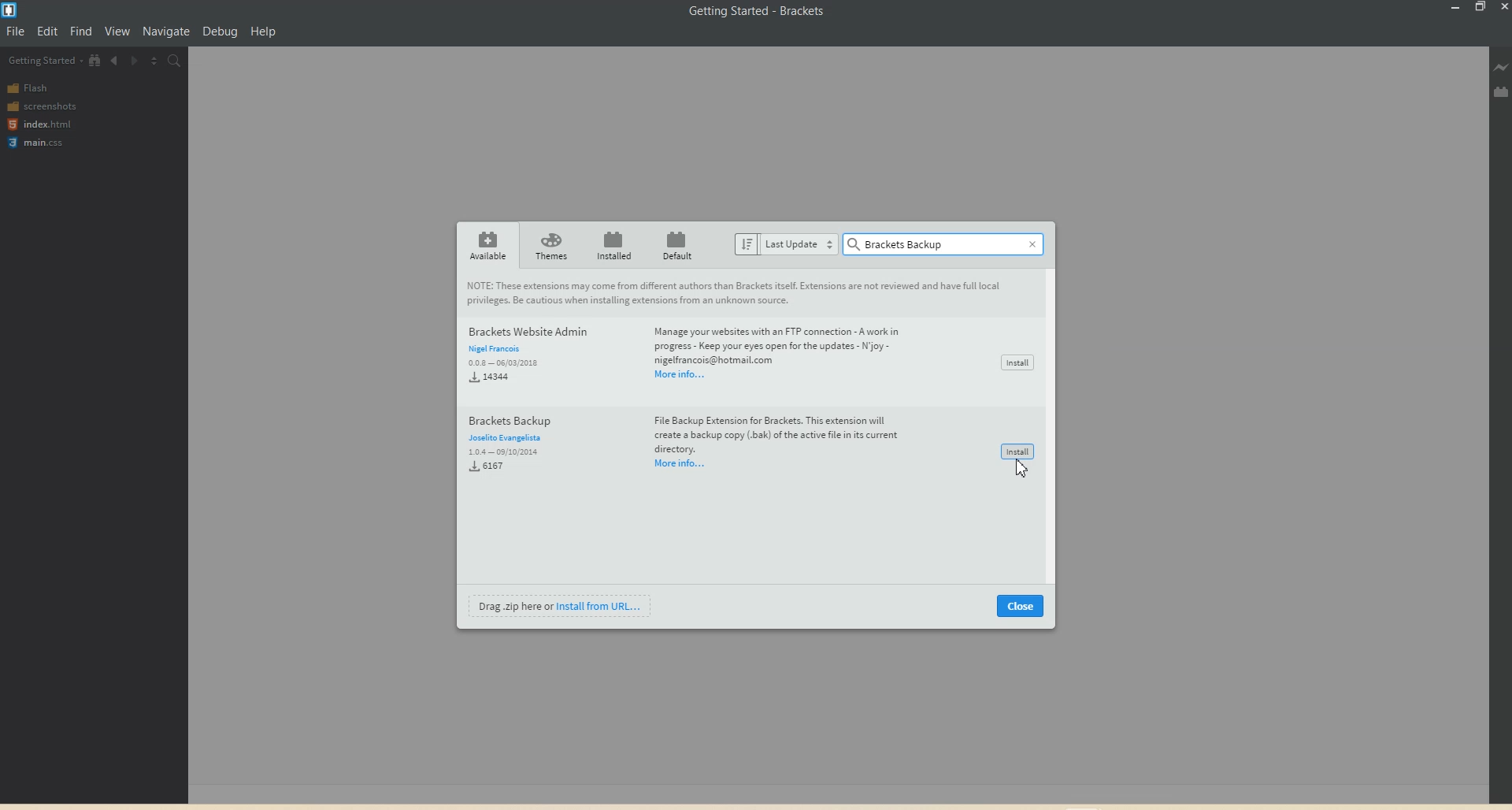  Describe the element at coordinates (1480, 8) in the screenshot. I see `Maximize` at that location.